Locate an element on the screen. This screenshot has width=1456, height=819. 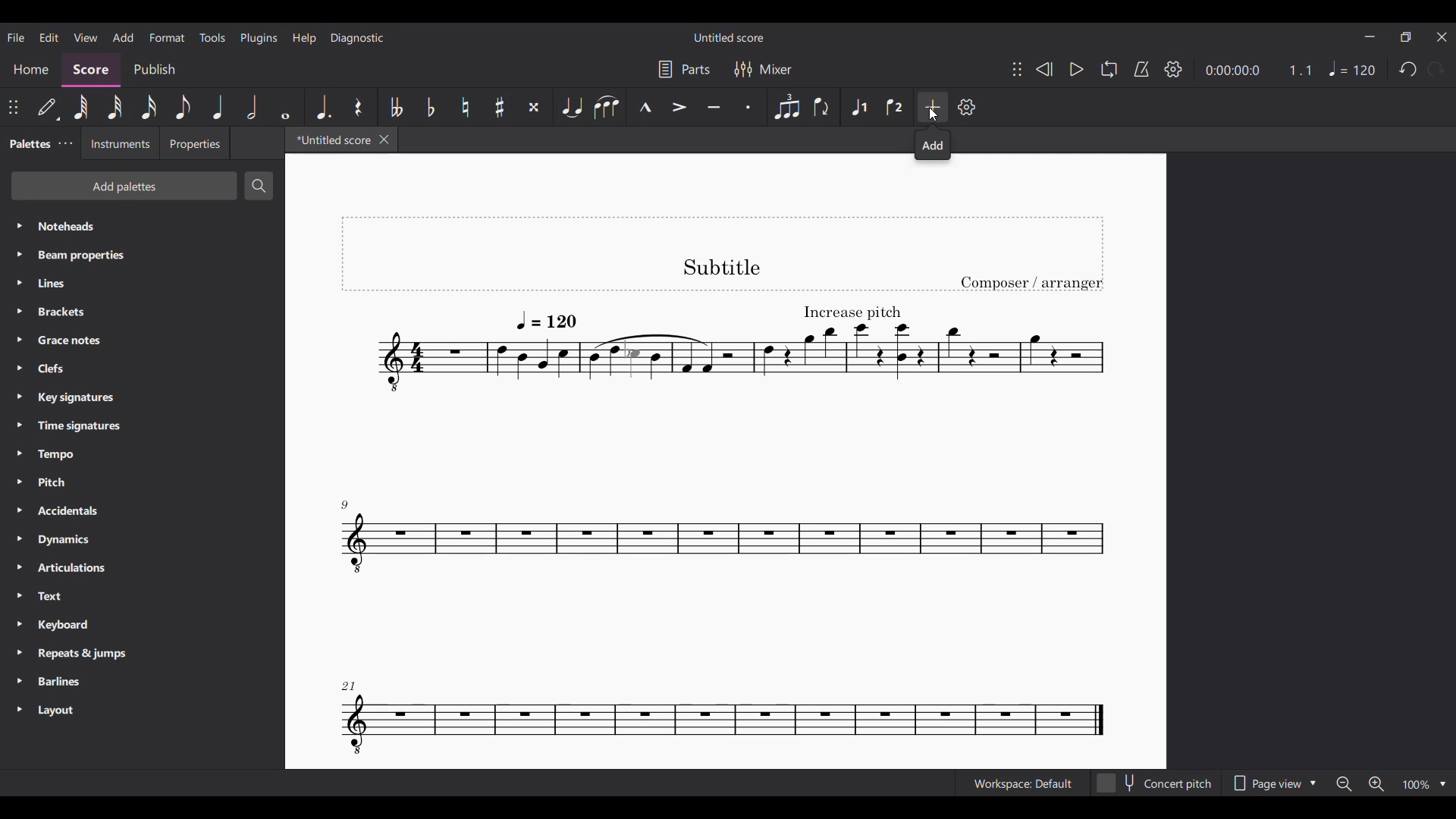
Cursor is located at coordinates (934, 114).